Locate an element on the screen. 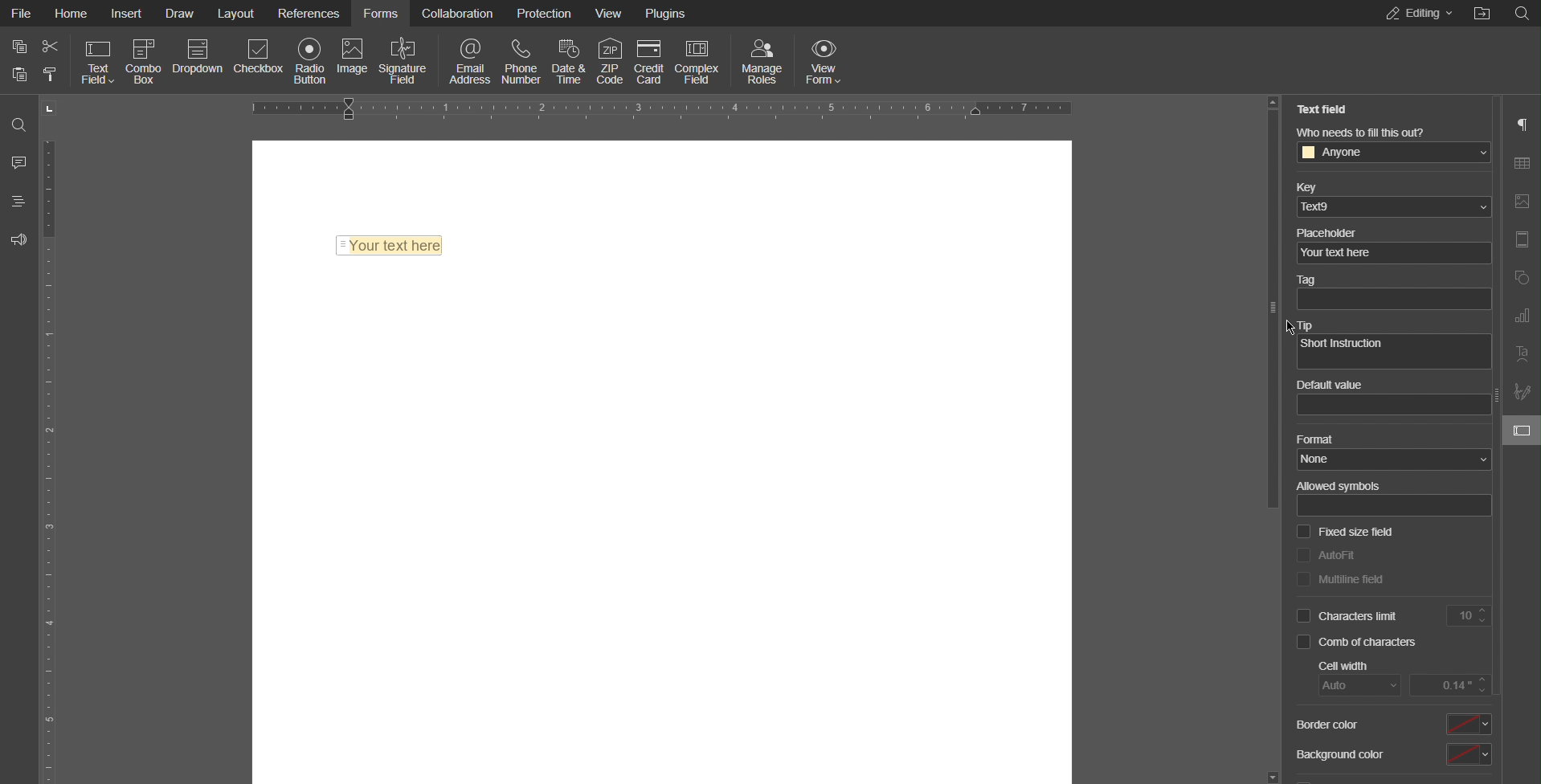  Checkbox is located at coordinates (256, 61).